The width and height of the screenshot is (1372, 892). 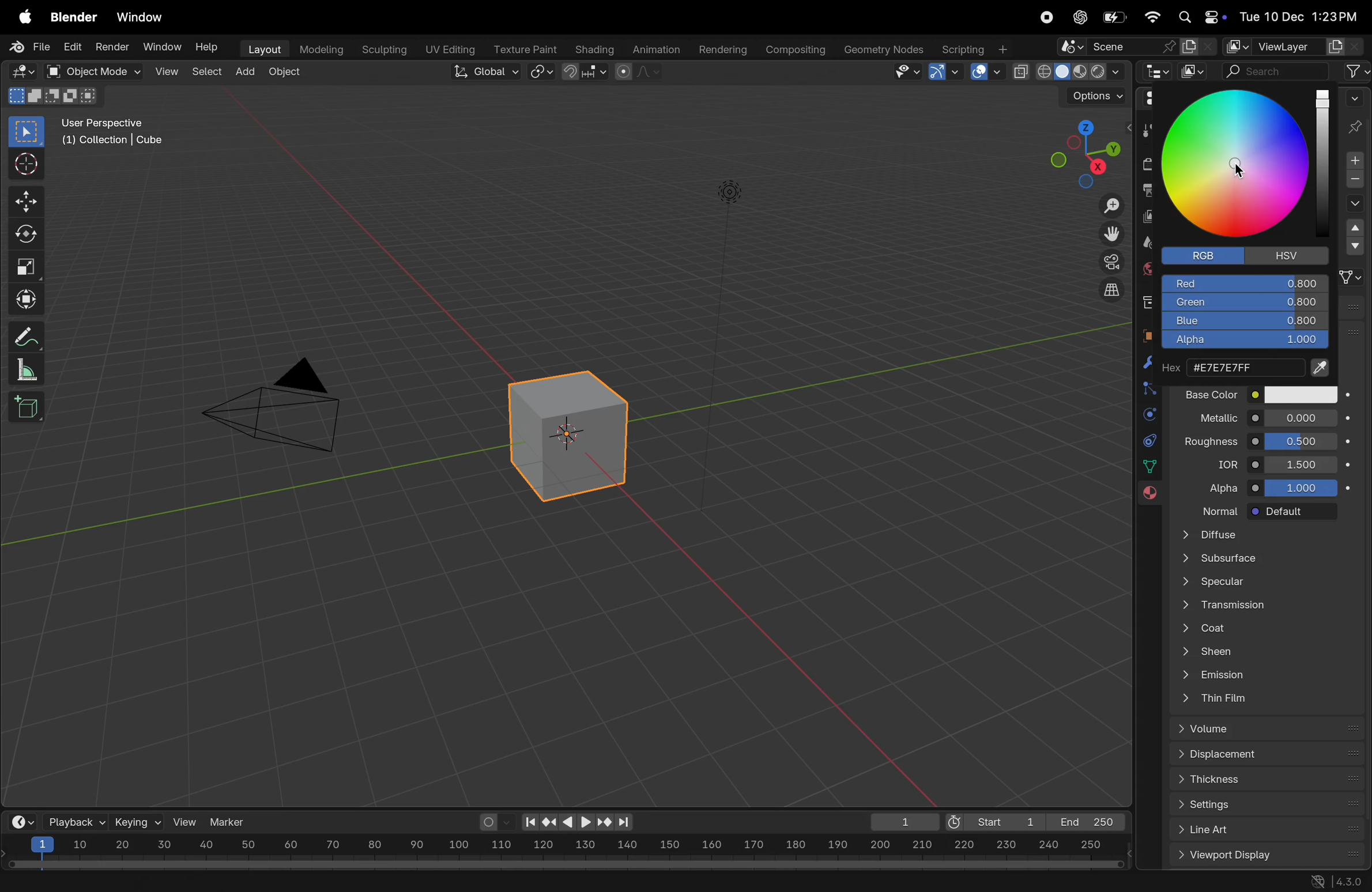 What do you see at coordinates (26, 407) in the screenshot?
I see `3D cube` at bounding box center [26, 407].